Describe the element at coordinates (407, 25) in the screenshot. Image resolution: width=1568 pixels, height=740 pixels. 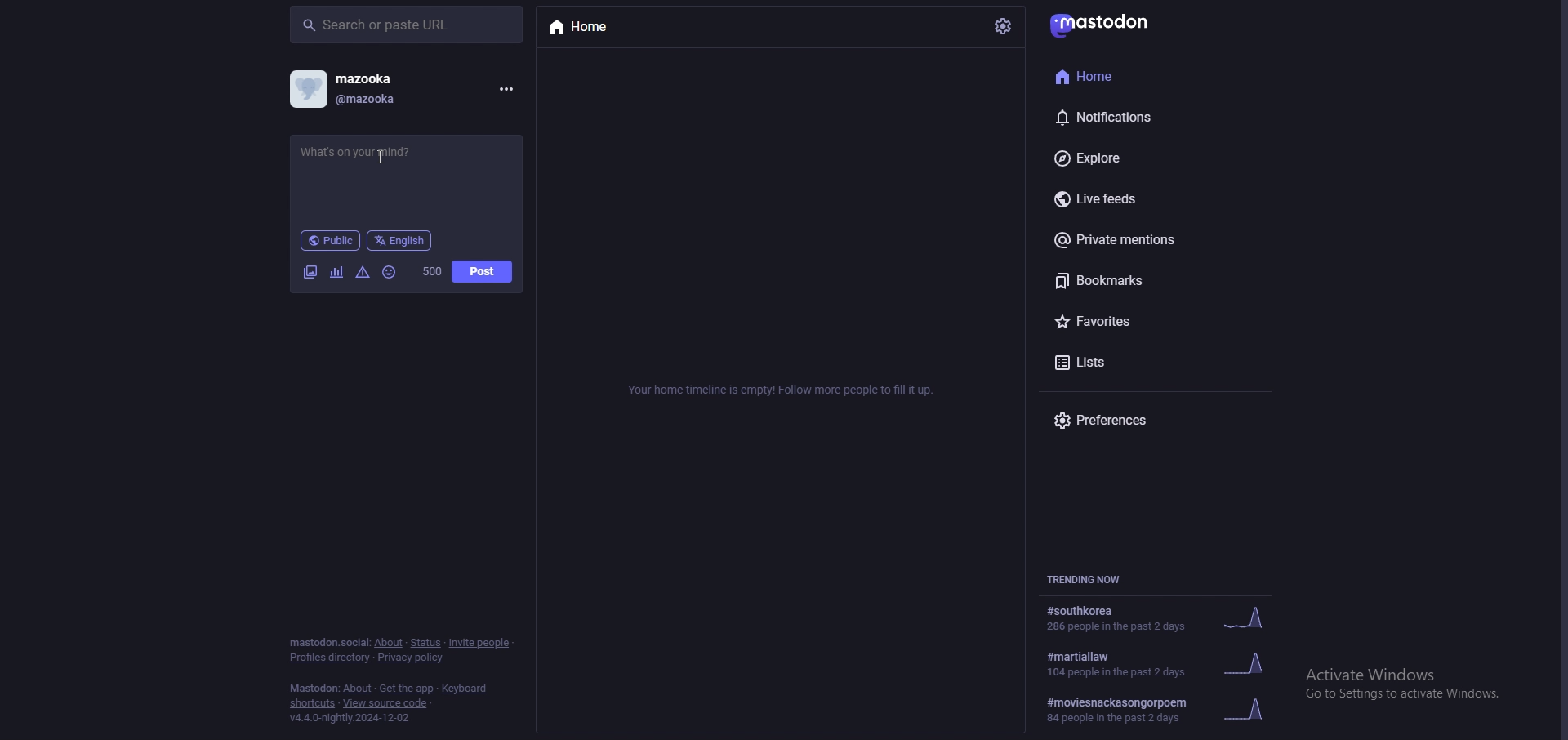
I see `search bar` at that location.